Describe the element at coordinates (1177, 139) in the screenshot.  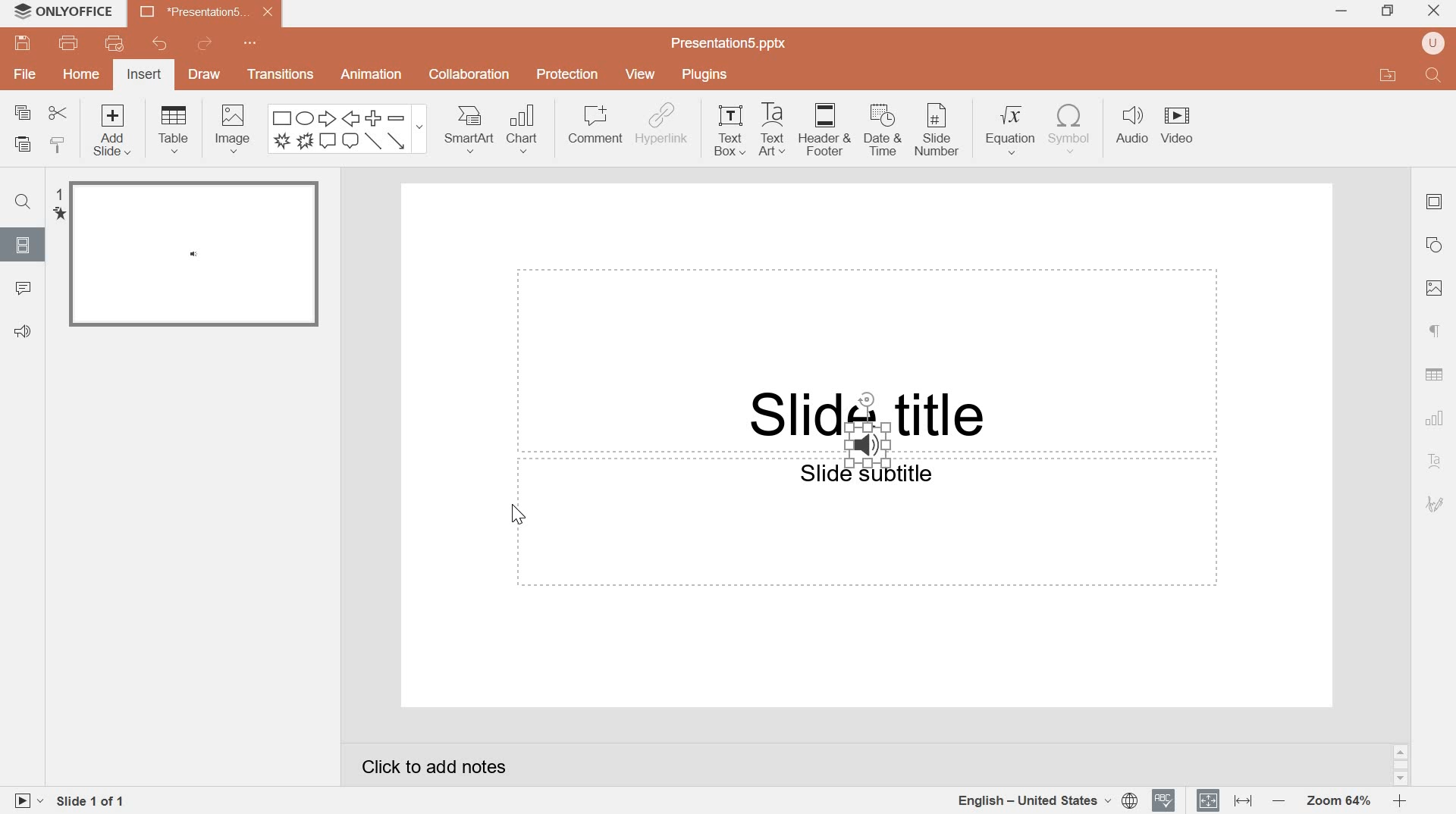
I see `Video` at that location.